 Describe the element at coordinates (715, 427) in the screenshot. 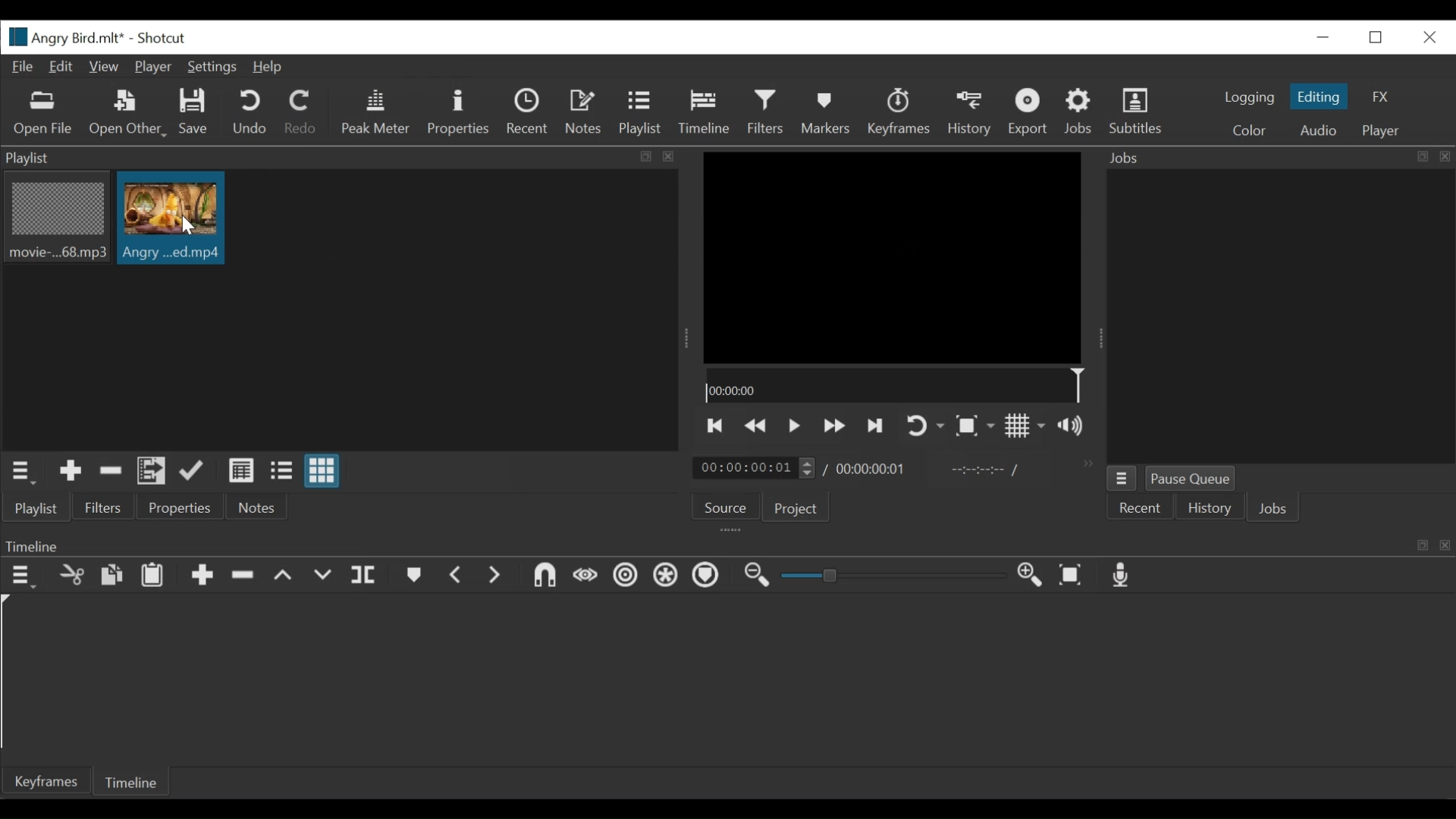

I see `Skip to the previous point` at that location.